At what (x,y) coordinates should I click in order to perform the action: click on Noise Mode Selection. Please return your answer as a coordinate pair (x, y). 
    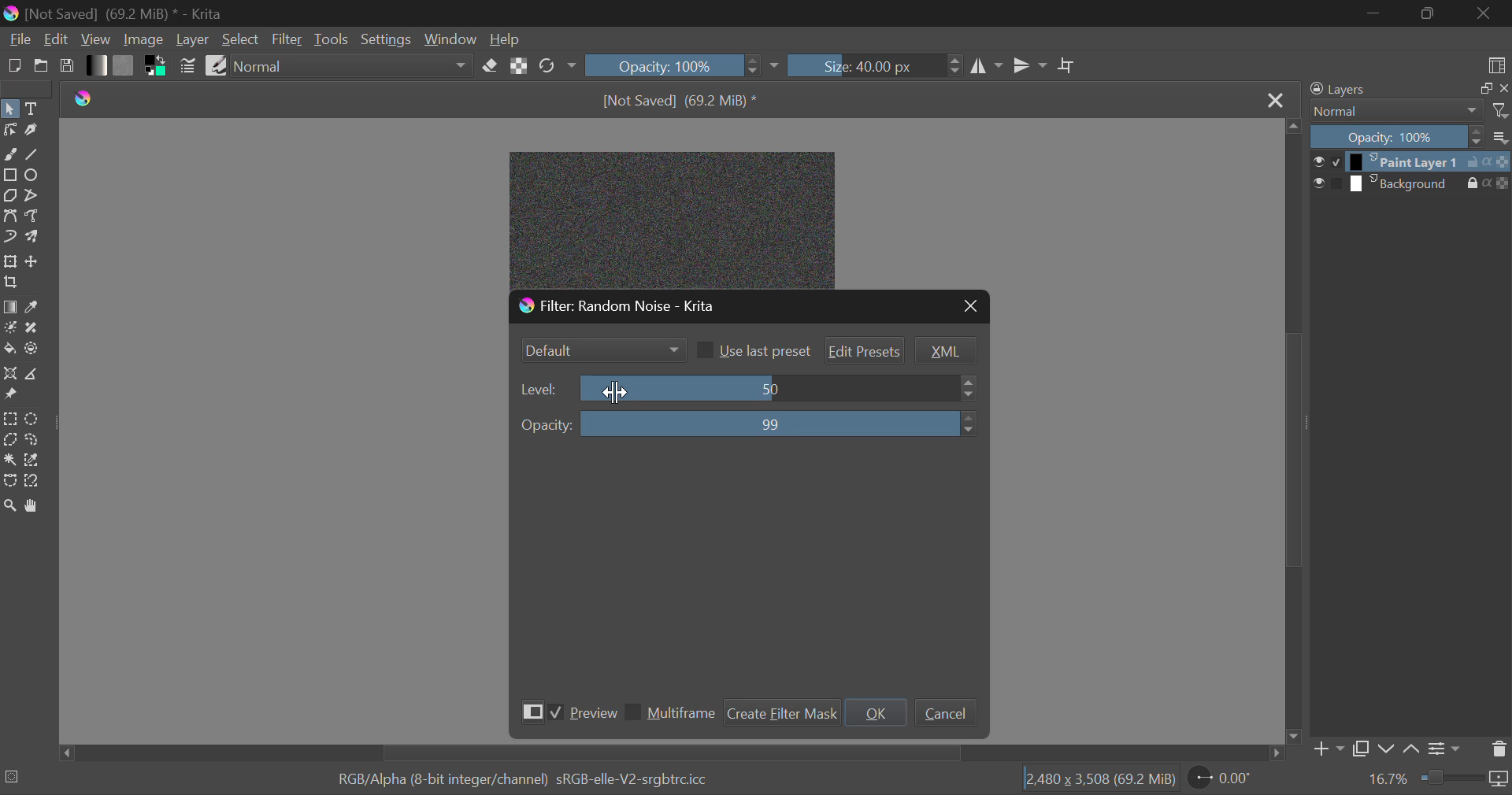
    Looking at the image, I should click on (601, 348).